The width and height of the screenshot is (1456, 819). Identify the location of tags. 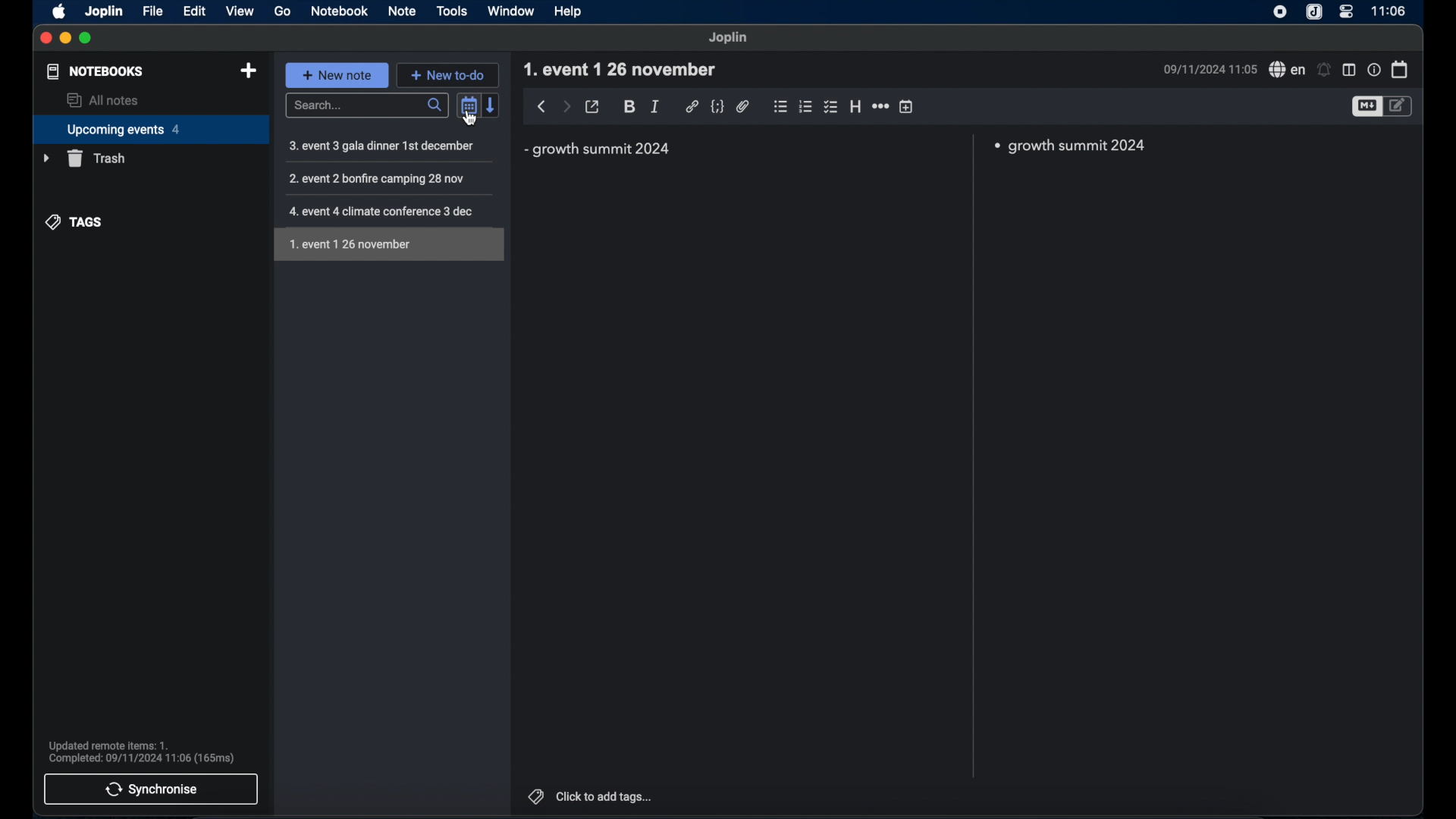
(75, 221).